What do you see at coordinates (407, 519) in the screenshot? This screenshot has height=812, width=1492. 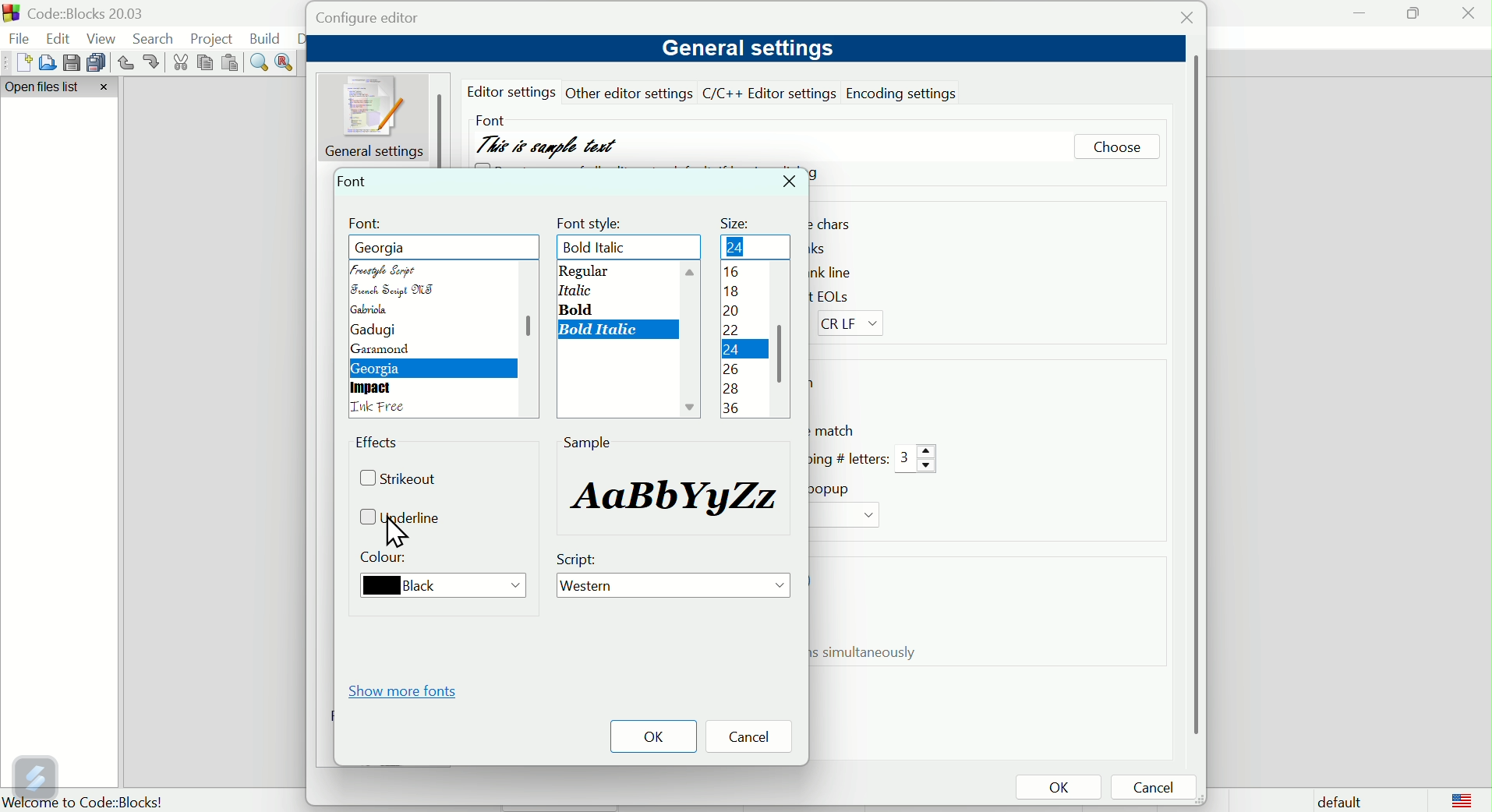 I see `Underline` at bounding box center [407, 519].